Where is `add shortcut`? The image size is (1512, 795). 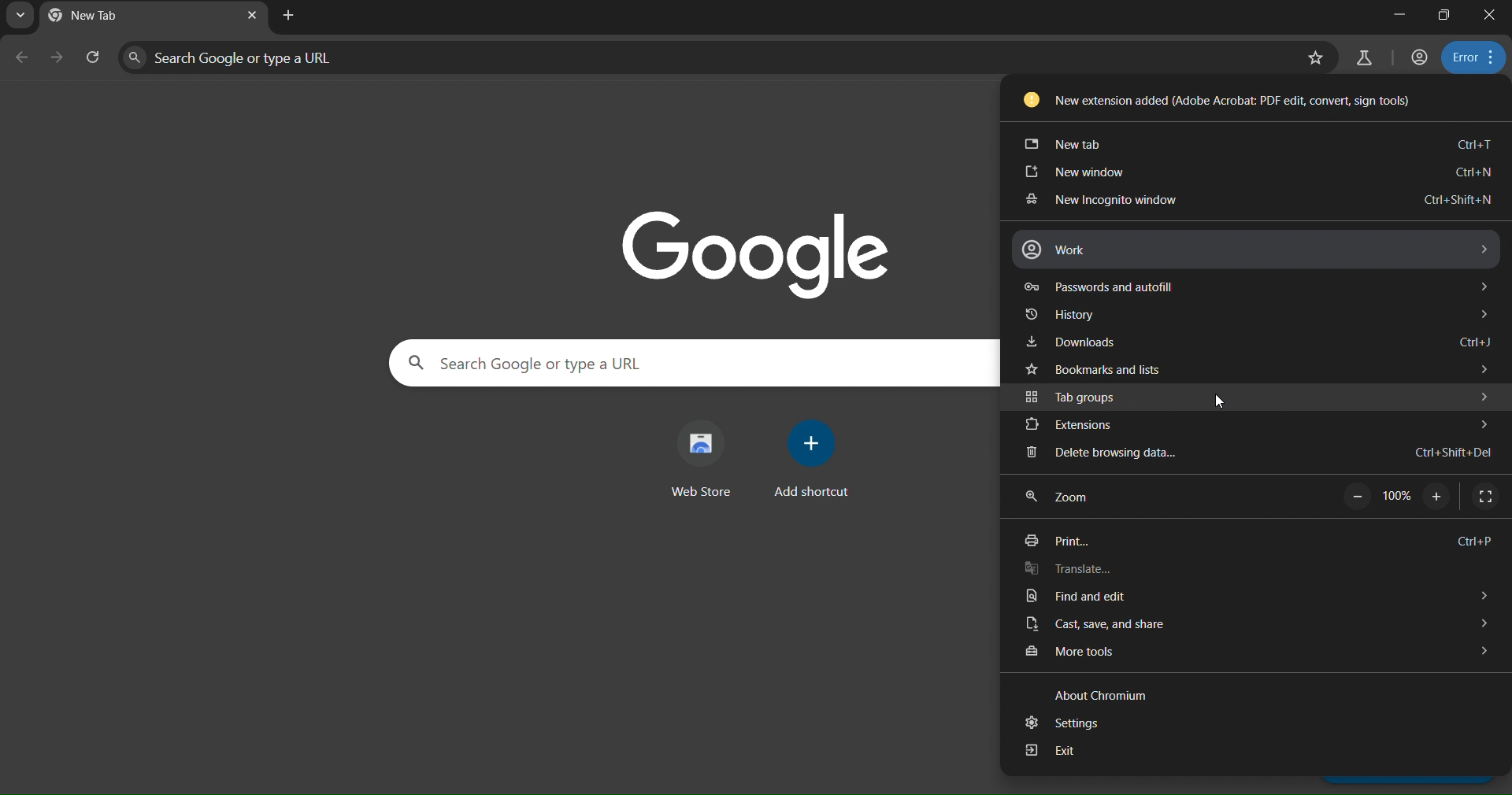 add shortcut is located at coordinates (810, 464).